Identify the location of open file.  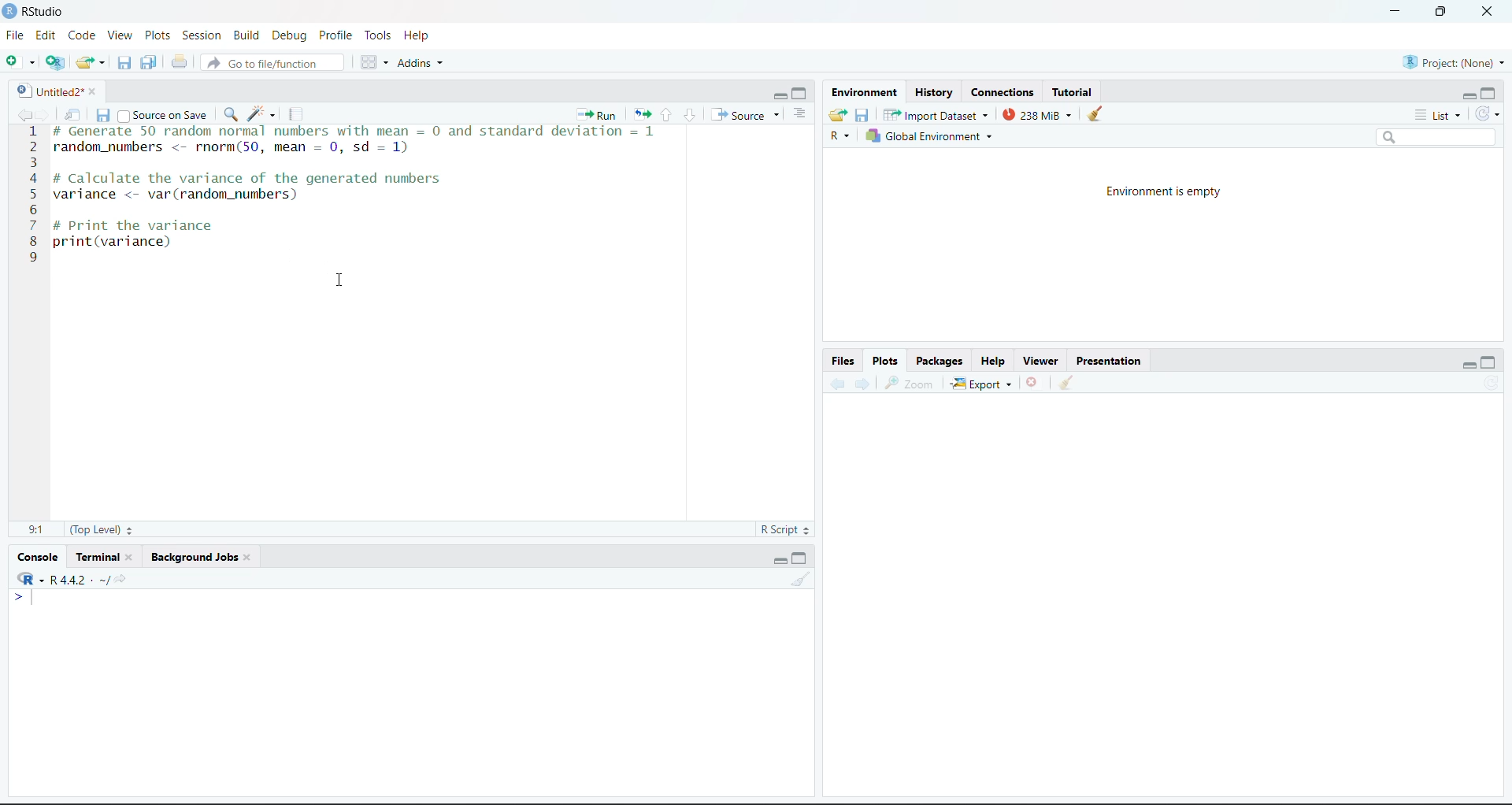
(91, 63).